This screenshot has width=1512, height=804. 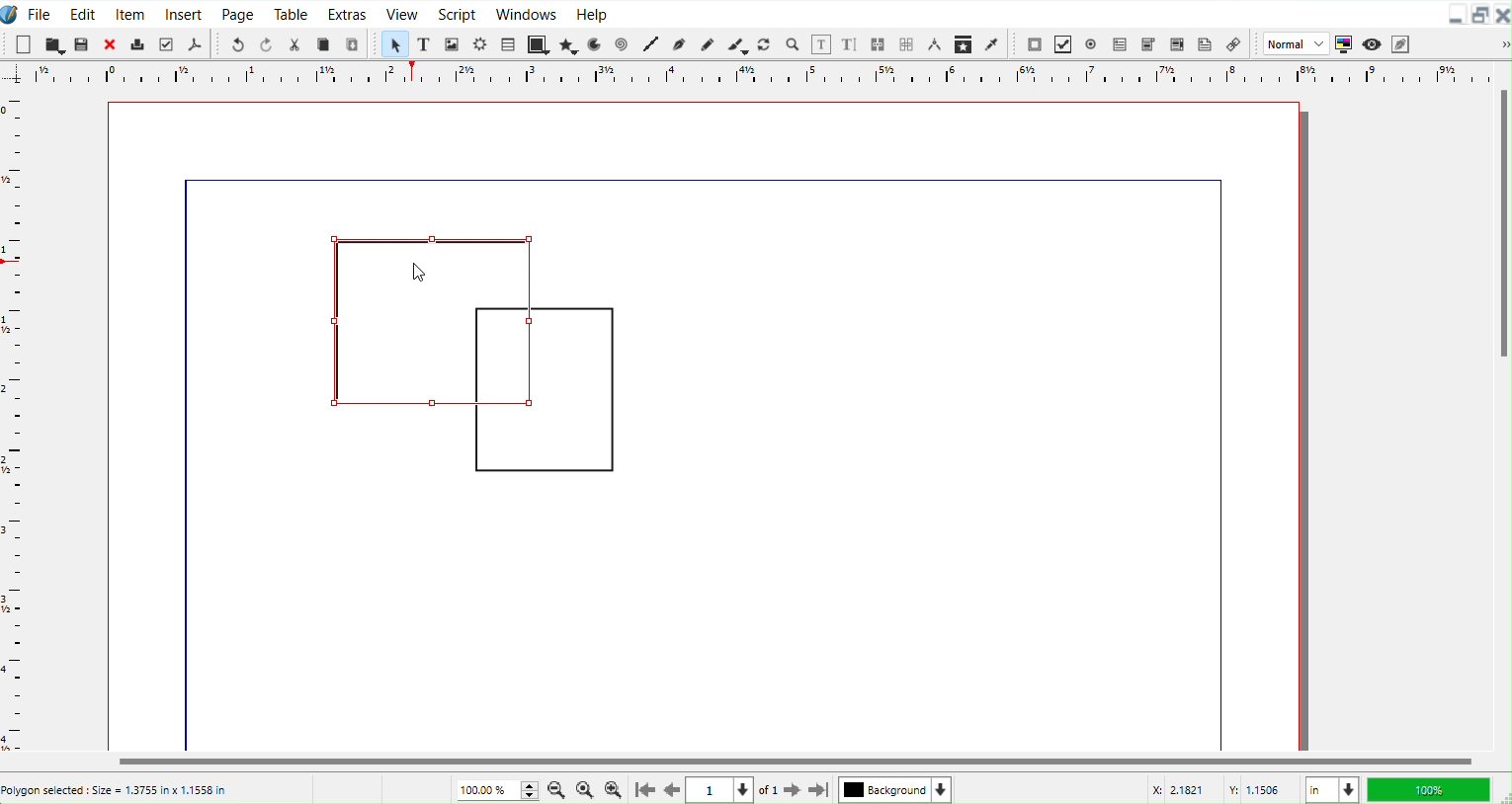 What do you see at coordinates (737, 44) in the screenshot?
I see `Calligraphic line` at bounding box center [737, 44].